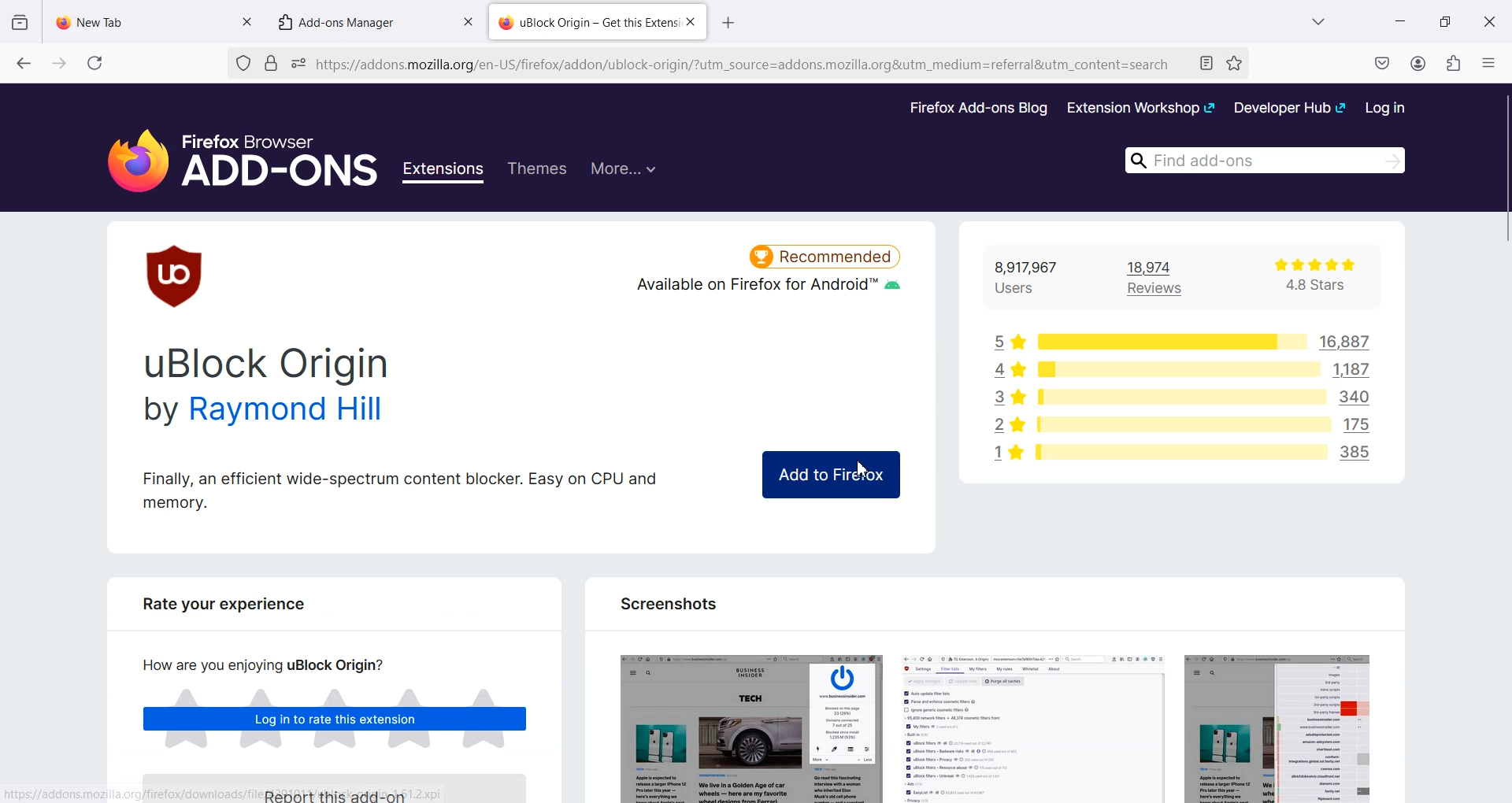 Image resolution: width=1512 pixels, height=803 pixels. Describe the element at coordinates (446, 172) in the screenshot. I see `Extensions ` at that location.